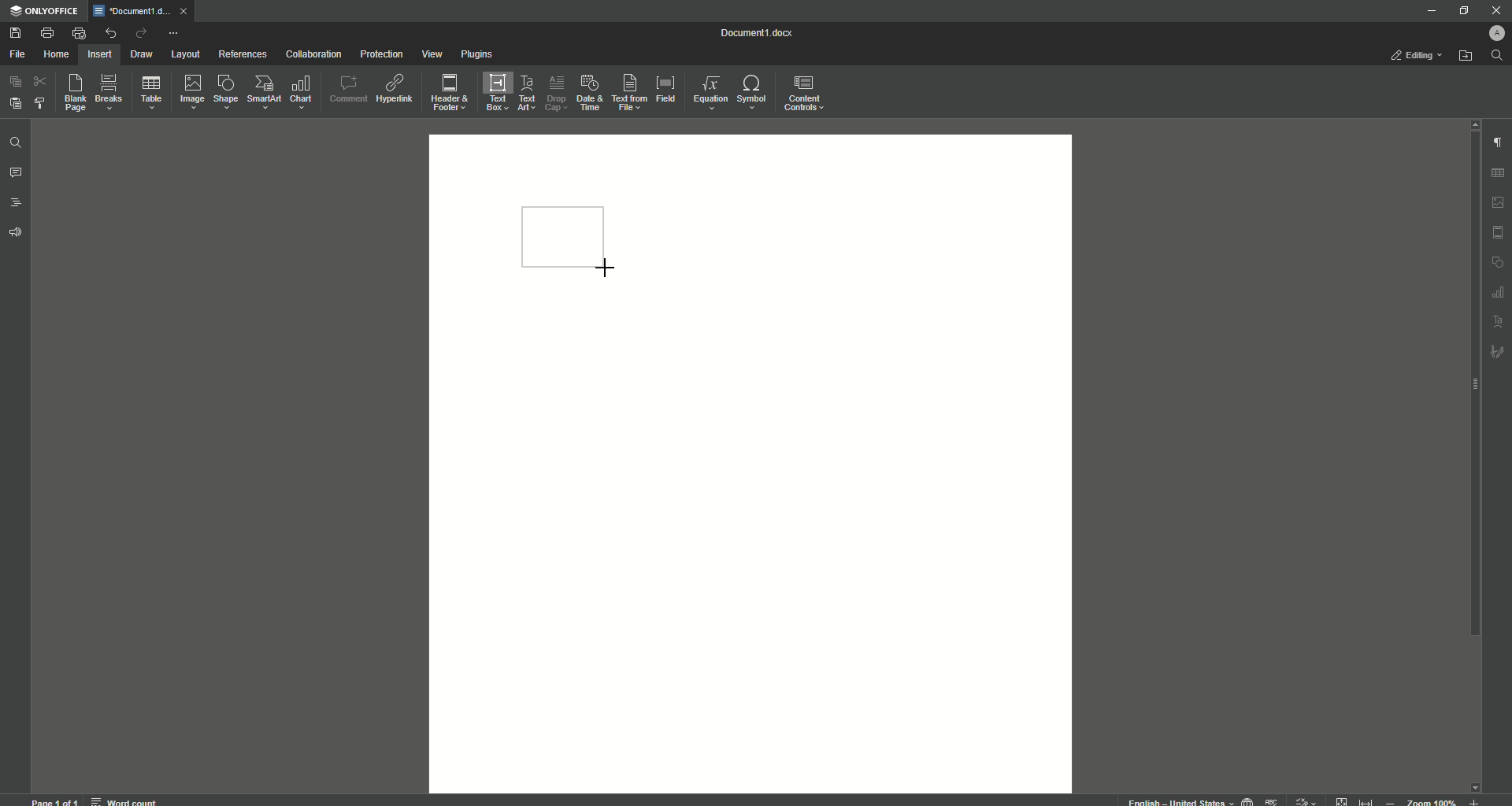 This screenshot has height=806, width=1512. Describe the element at coordinates (16, 82) in the screenshot. I see `Copy` at that location.